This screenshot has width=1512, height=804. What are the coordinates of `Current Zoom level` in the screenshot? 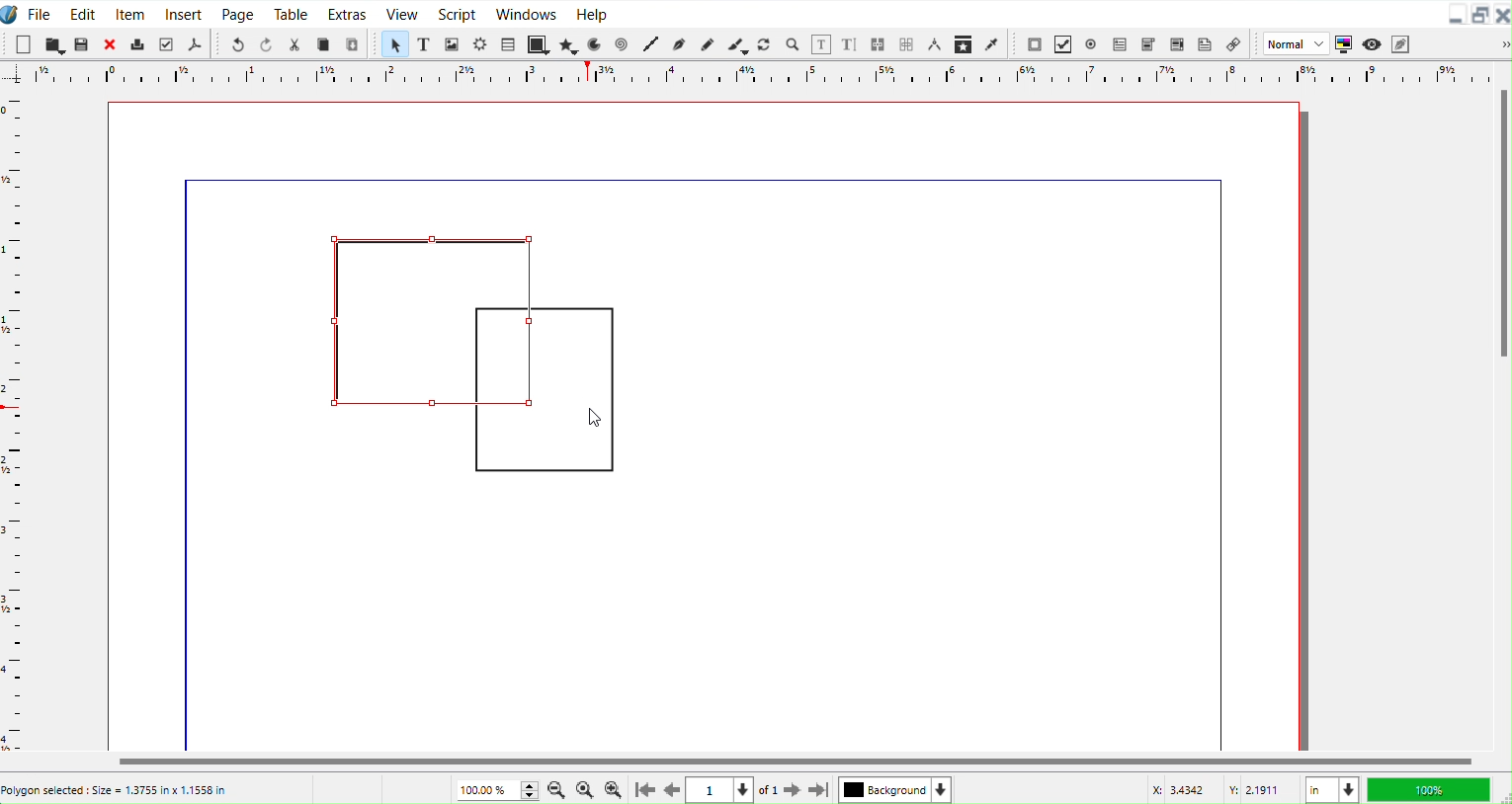 It's located at (499, 789).